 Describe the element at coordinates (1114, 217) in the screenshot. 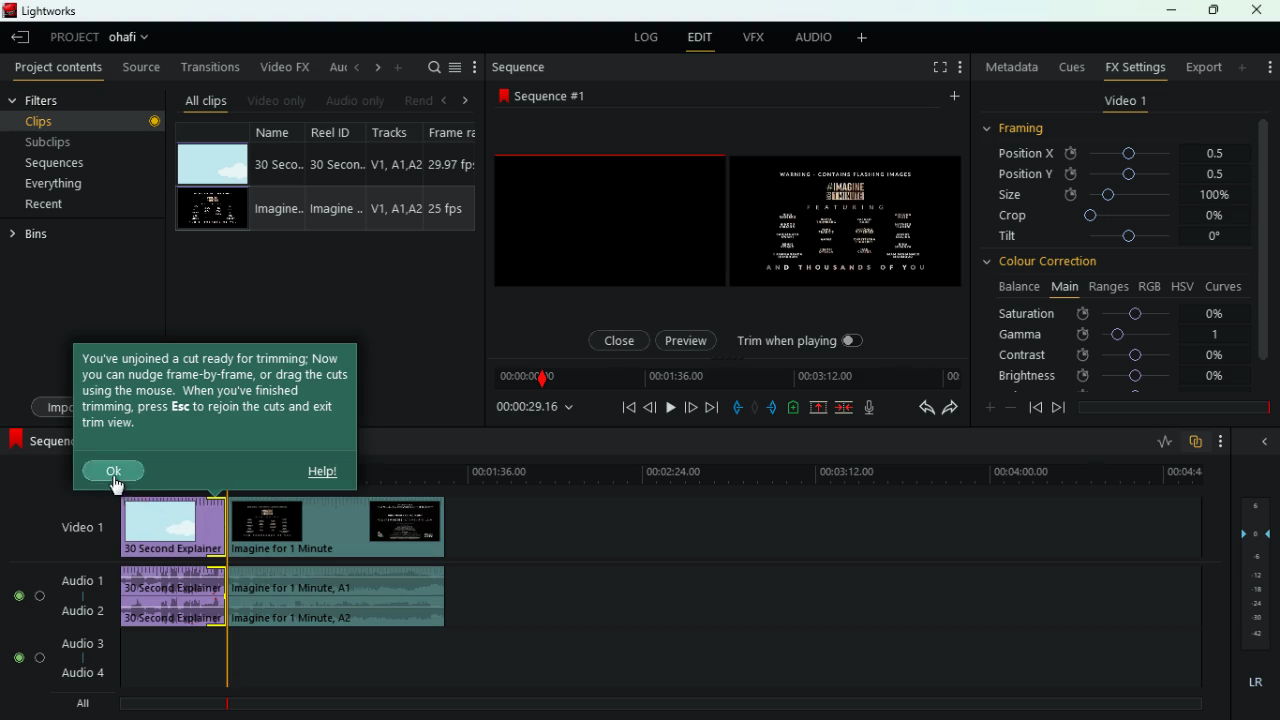

I see `crop` at that location.